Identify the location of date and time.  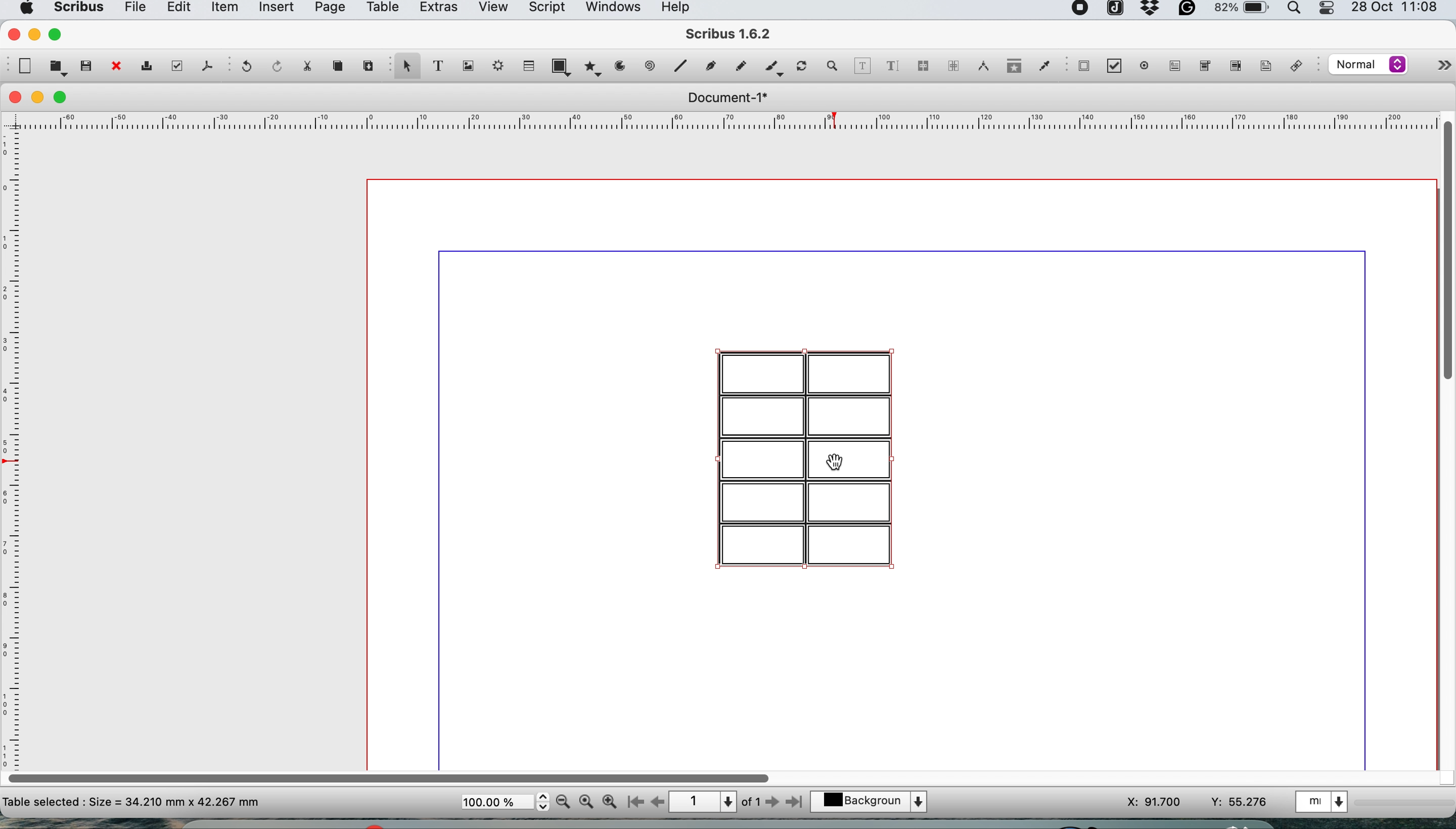
(1397, 9).